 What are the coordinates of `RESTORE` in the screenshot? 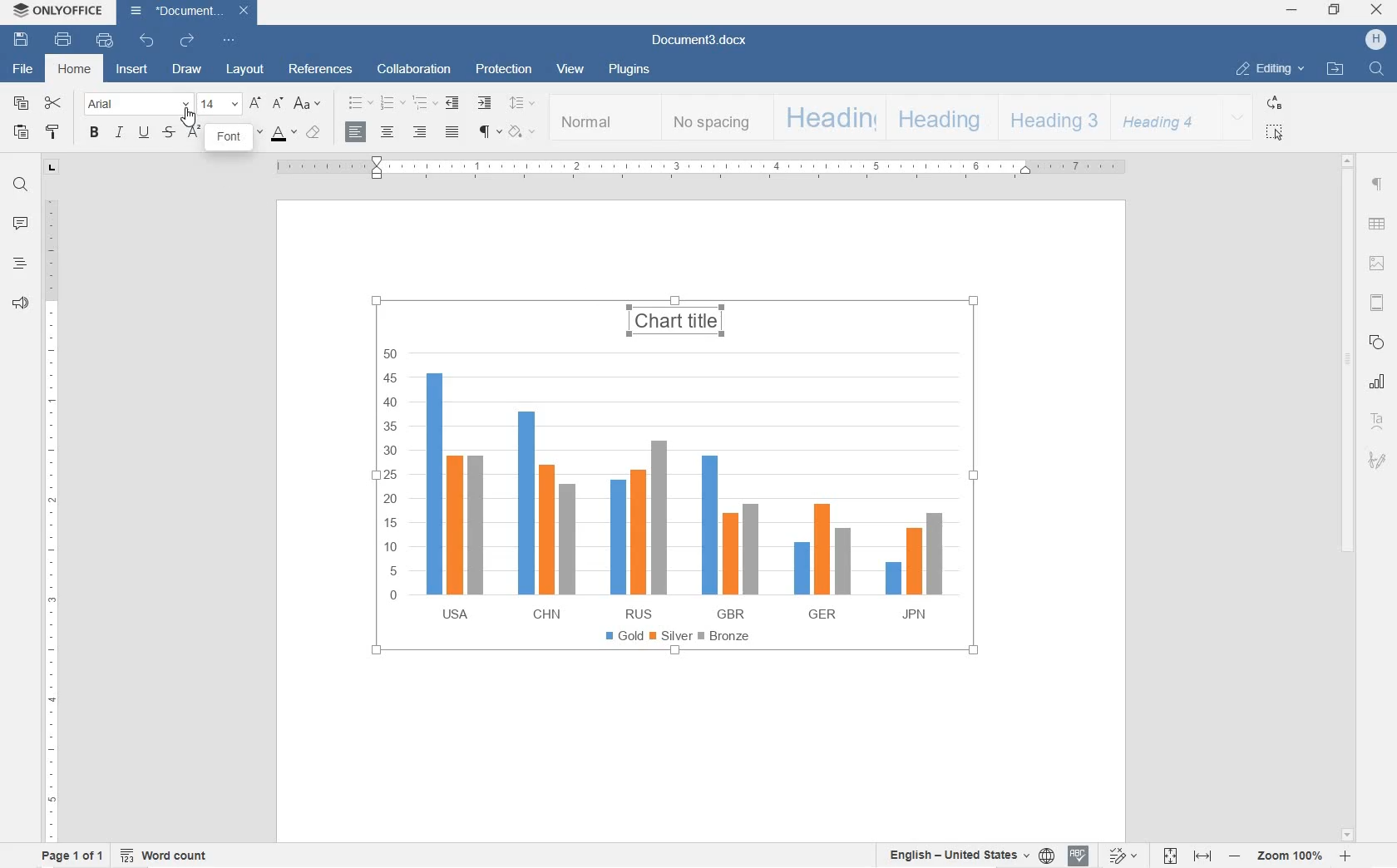 It's located at (1336, 11).